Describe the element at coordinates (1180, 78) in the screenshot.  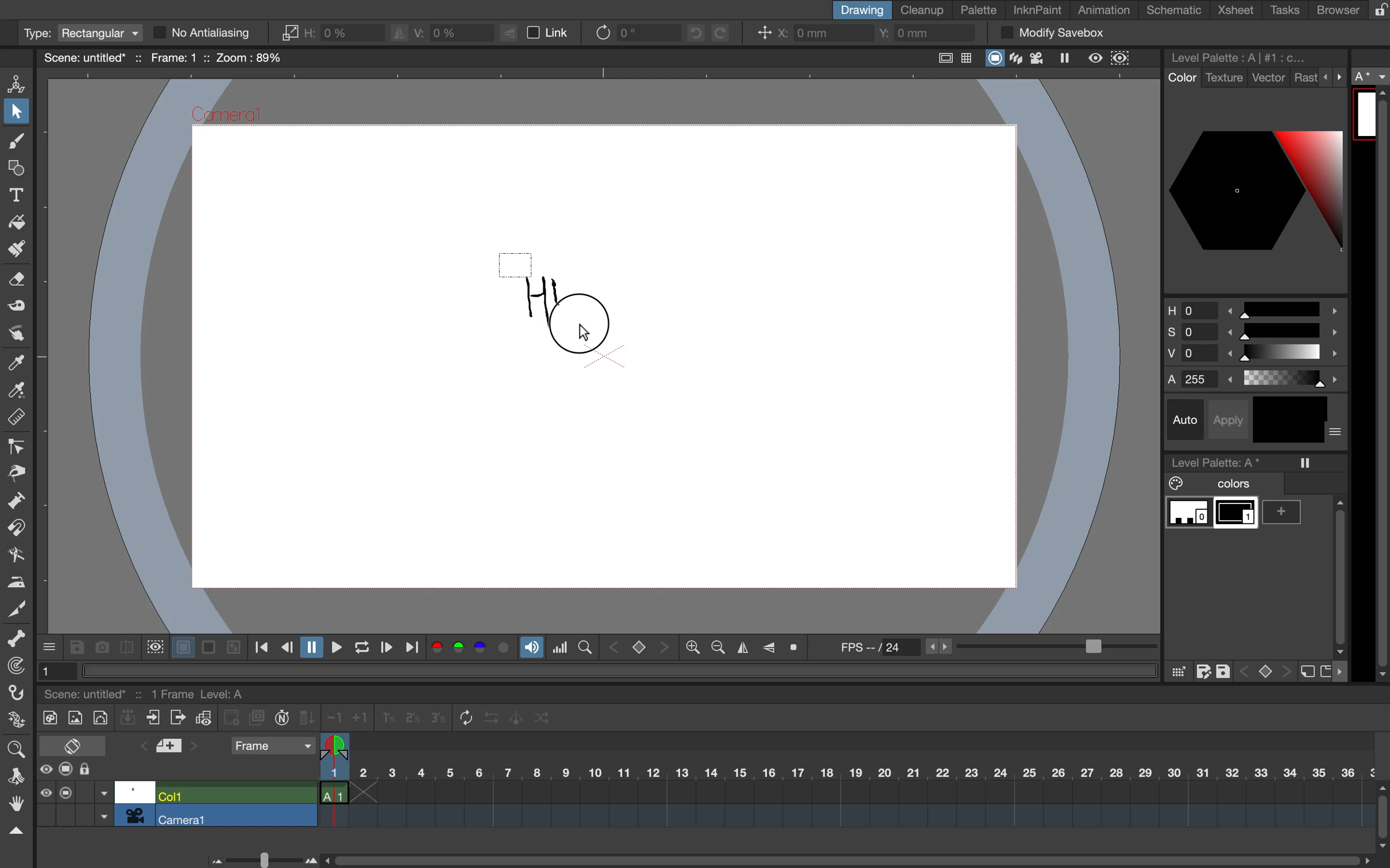
I see `color` at that location.